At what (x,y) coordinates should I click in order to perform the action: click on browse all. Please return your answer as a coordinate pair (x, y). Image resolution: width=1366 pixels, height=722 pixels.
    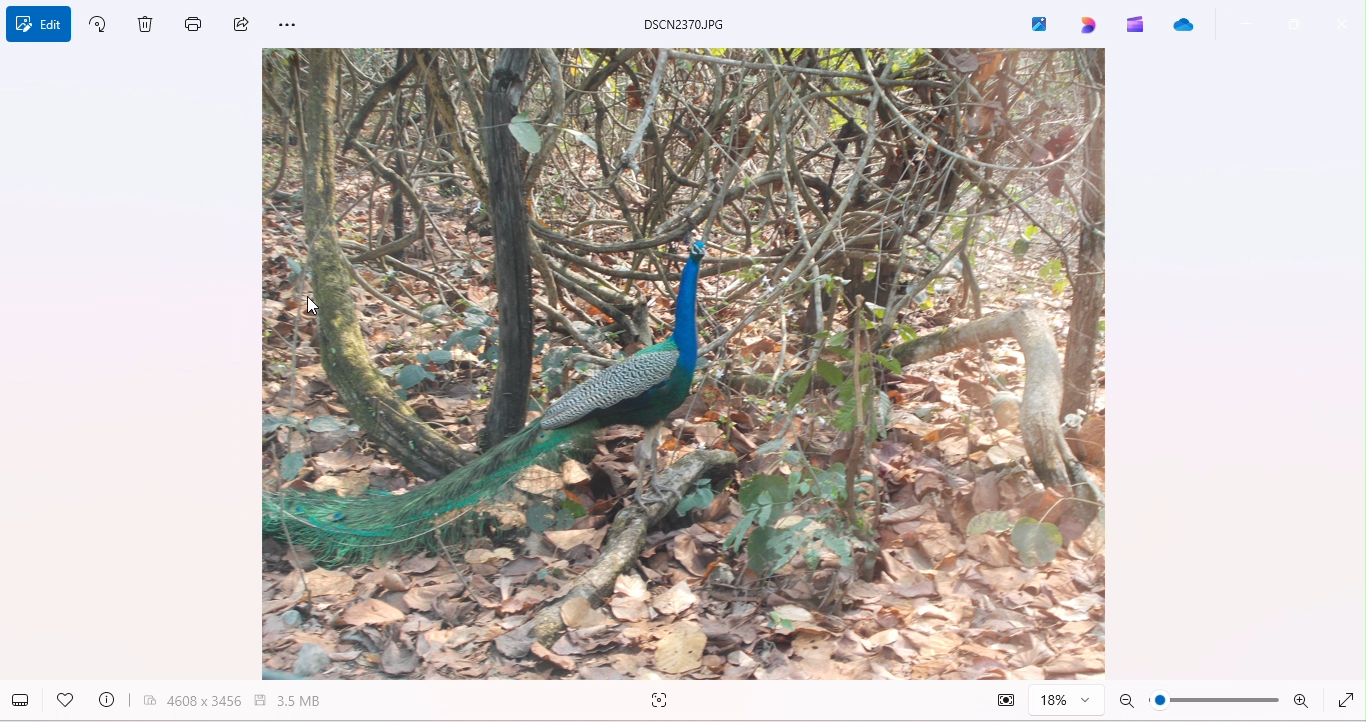
    Looking at the image, I should click on (1033, 24).